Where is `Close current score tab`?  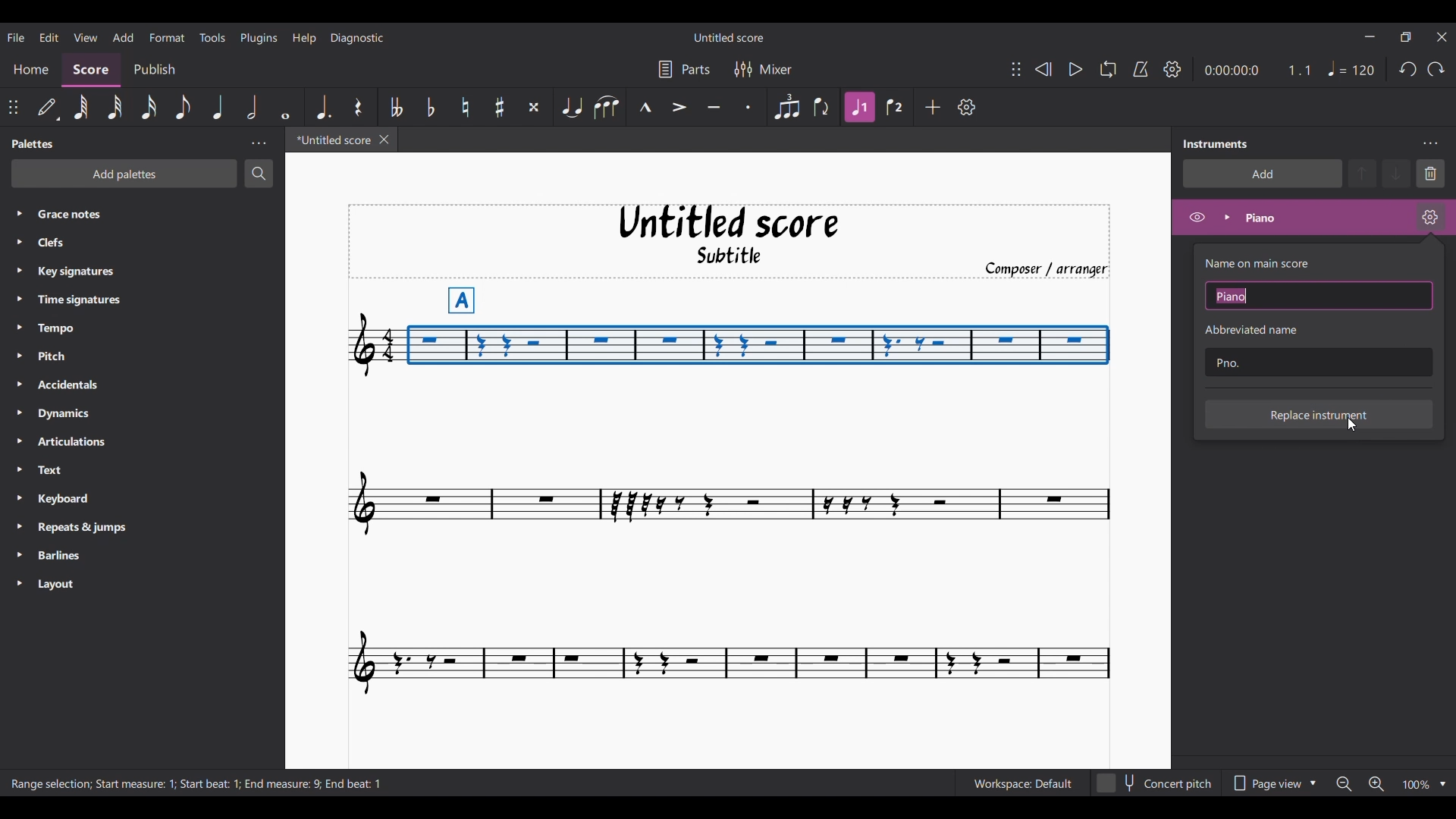 Close current score tab is located at coordinates (384, 140).